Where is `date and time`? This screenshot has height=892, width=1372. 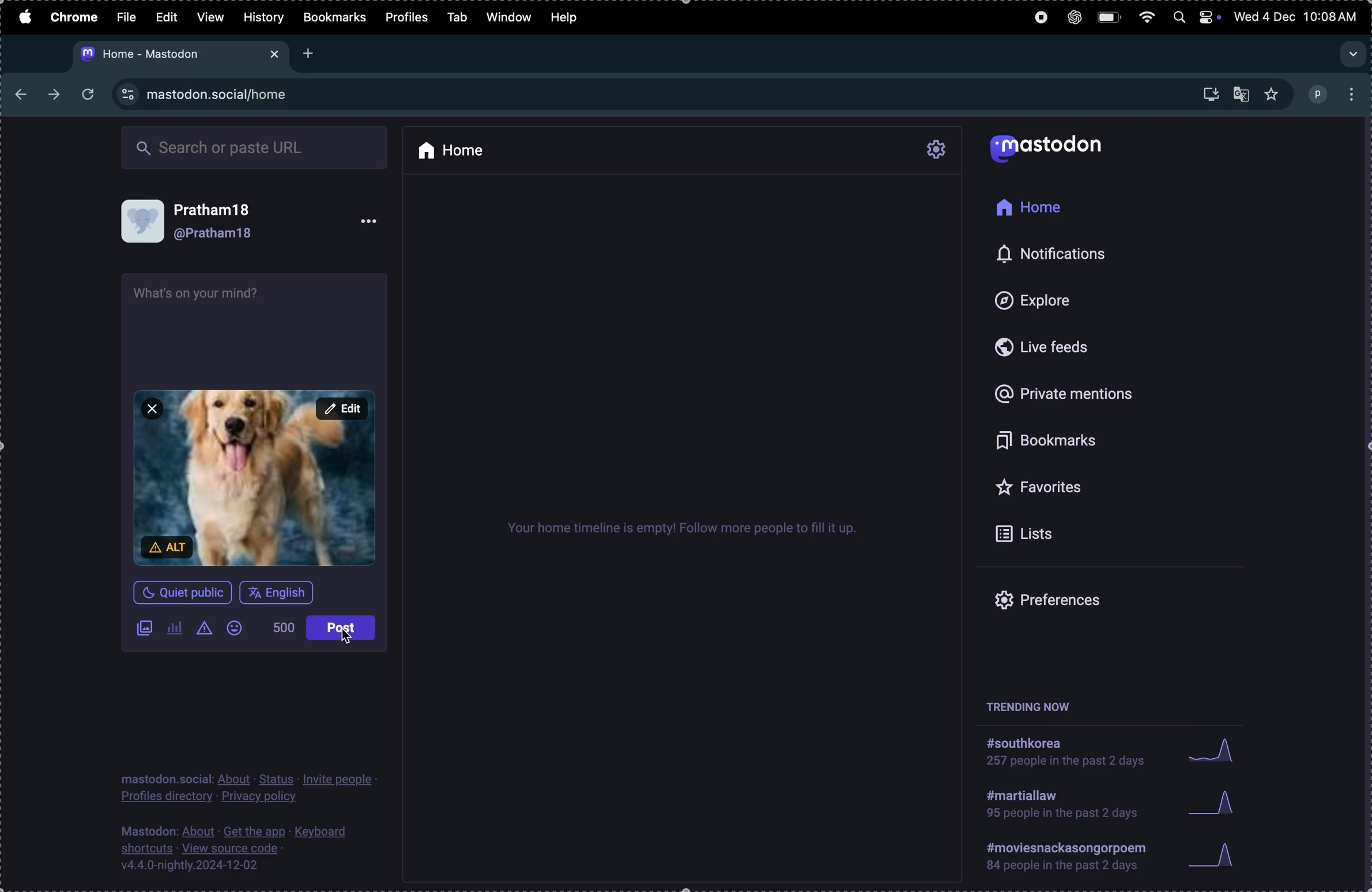
date and time is located at coordinates (1298, 18).